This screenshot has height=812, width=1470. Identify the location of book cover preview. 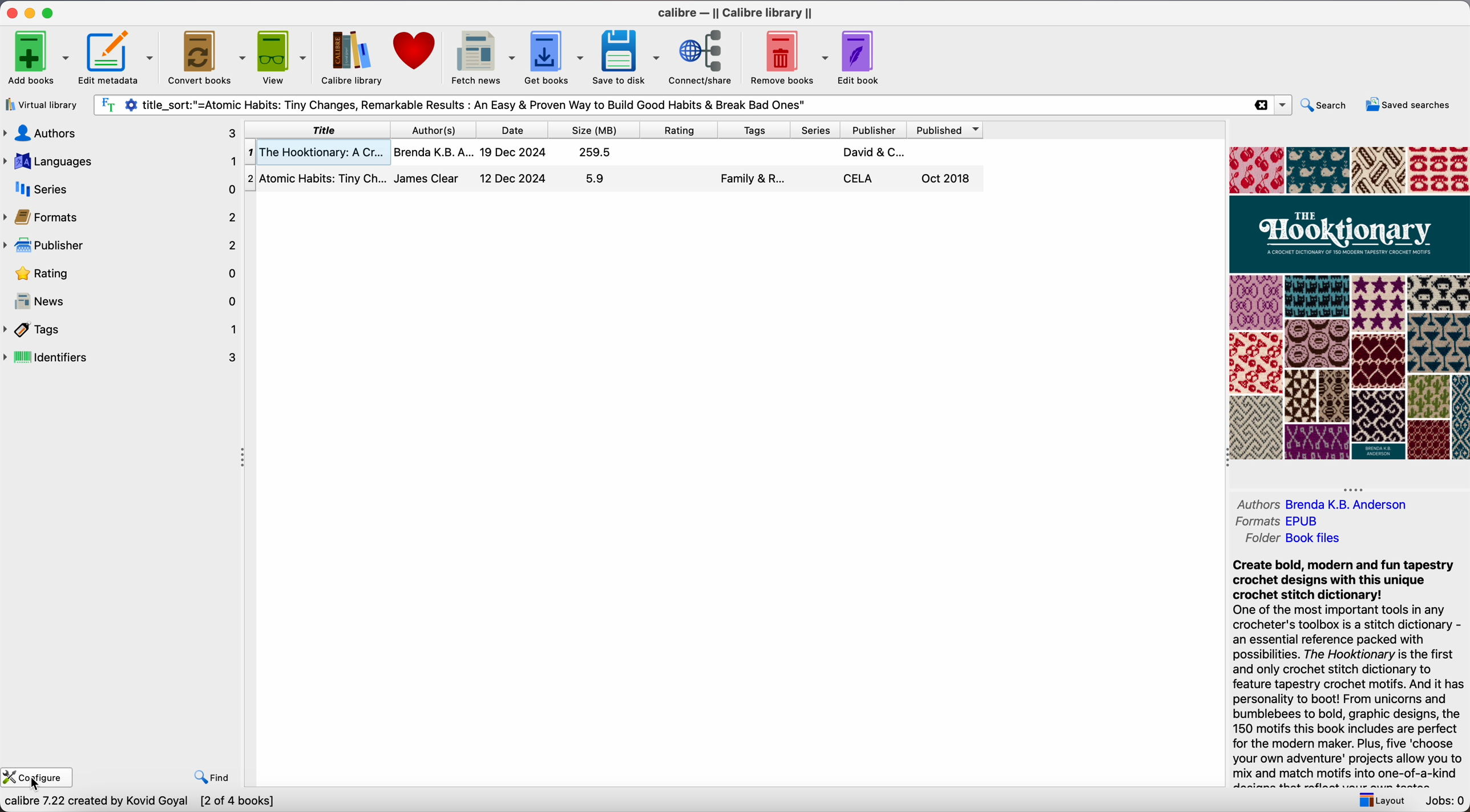
(1348, 303).